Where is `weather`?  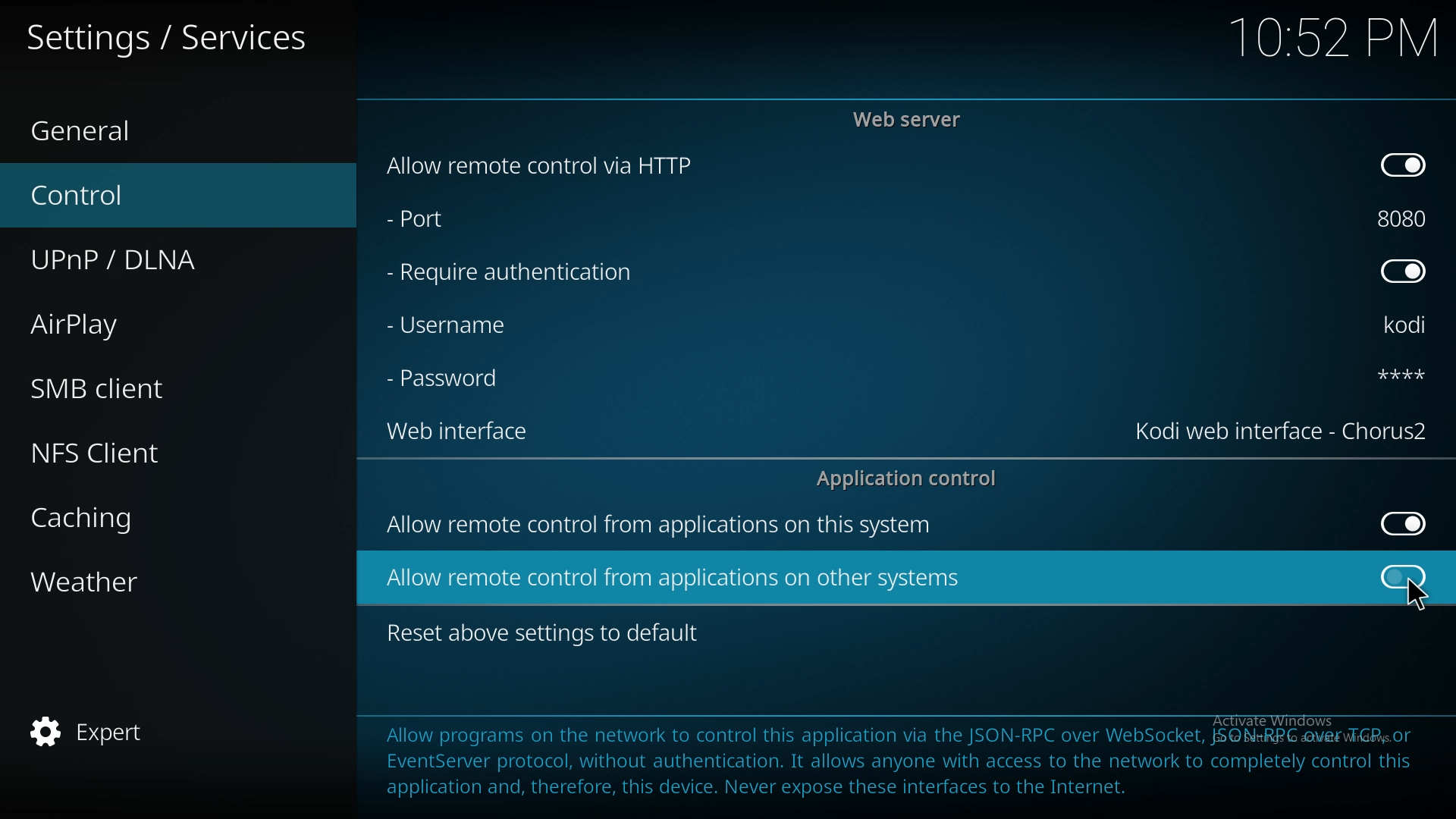 weather is located at coordinates (158, 580).